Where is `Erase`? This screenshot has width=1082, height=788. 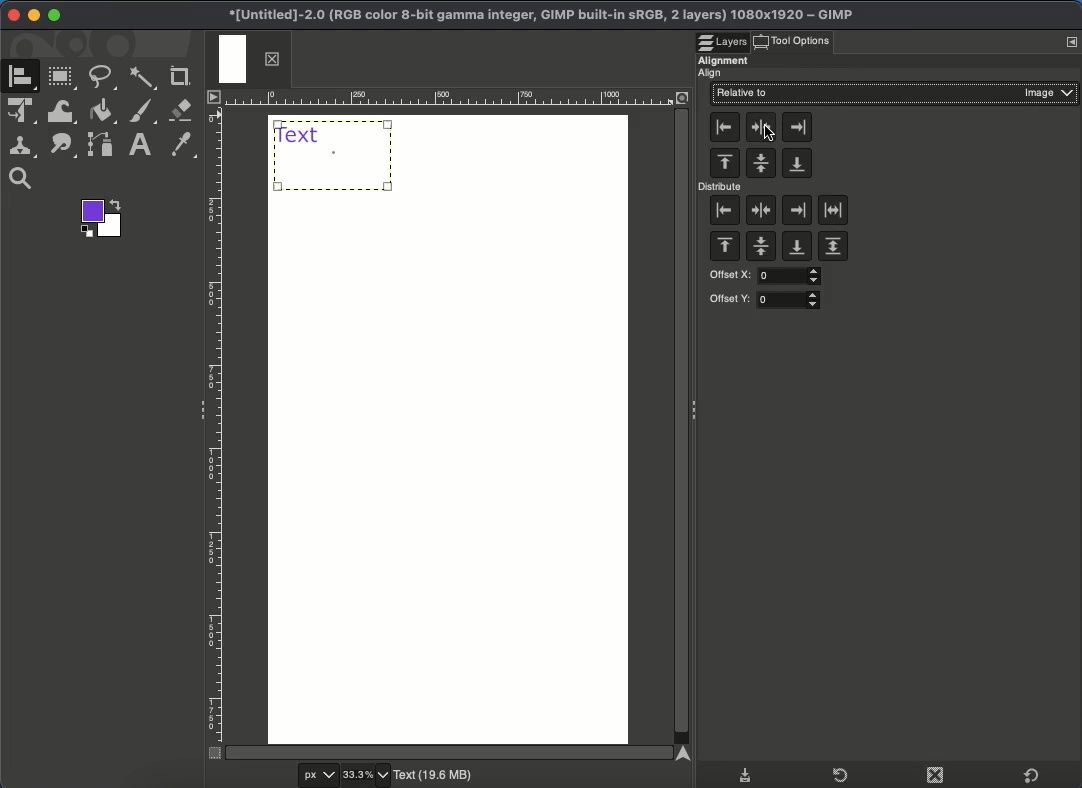
Erase is located at coordinates (183, 110).